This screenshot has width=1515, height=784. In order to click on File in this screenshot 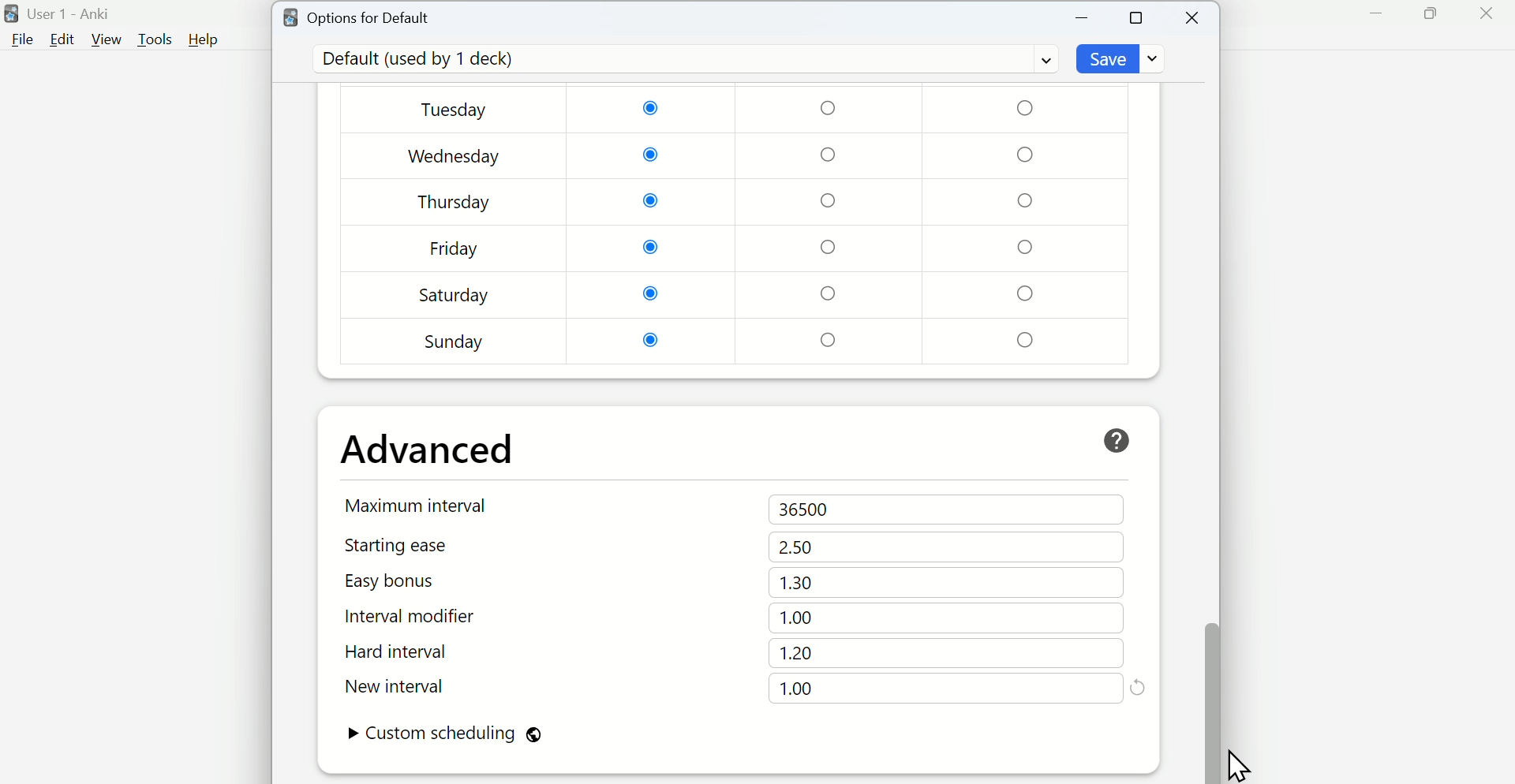, I will do `click(20, 40)`.